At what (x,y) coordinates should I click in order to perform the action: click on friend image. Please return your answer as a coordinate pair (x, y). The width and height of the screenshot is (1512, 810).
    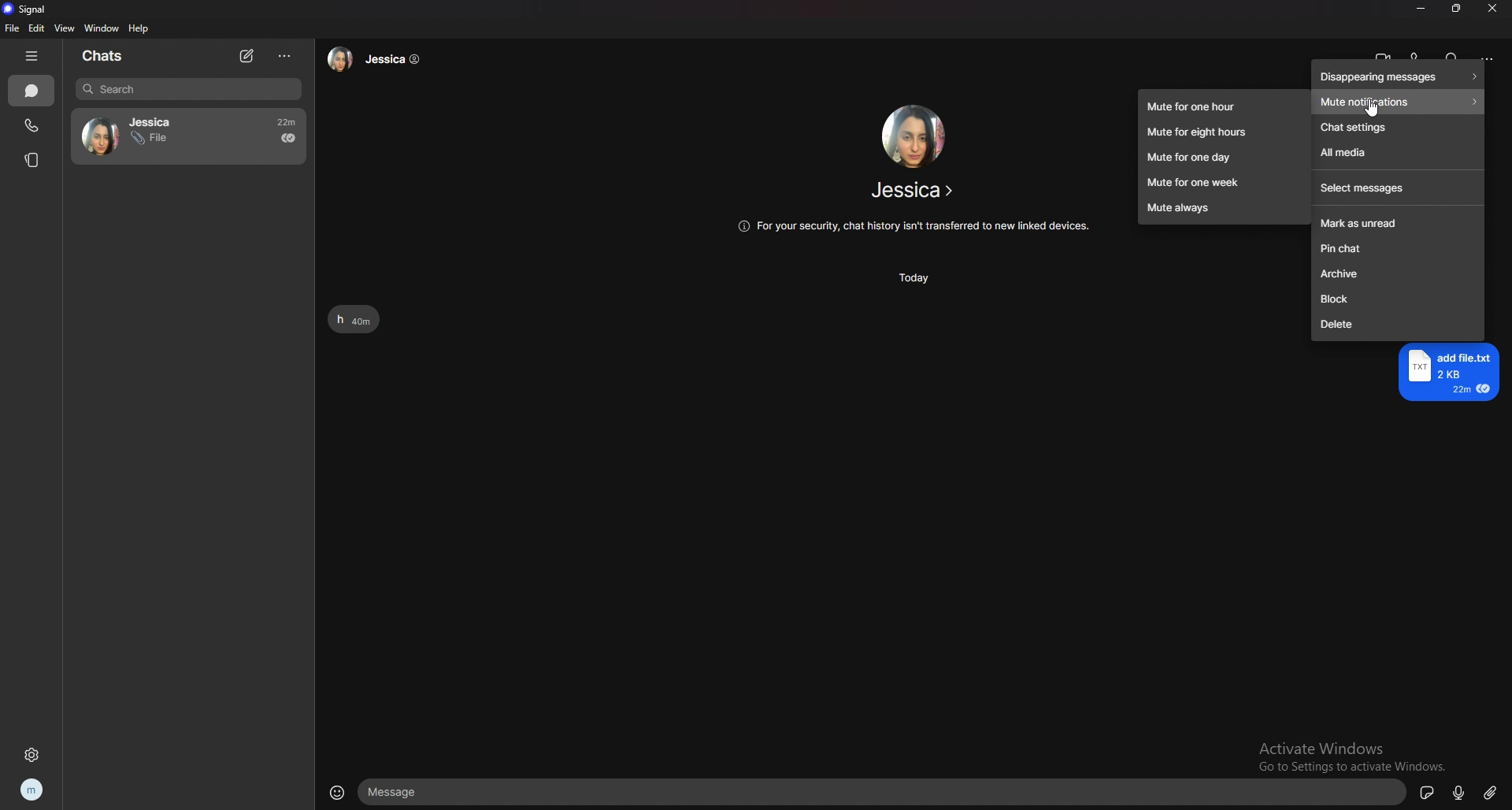
    Looking at the image, I should click on (912, 135).